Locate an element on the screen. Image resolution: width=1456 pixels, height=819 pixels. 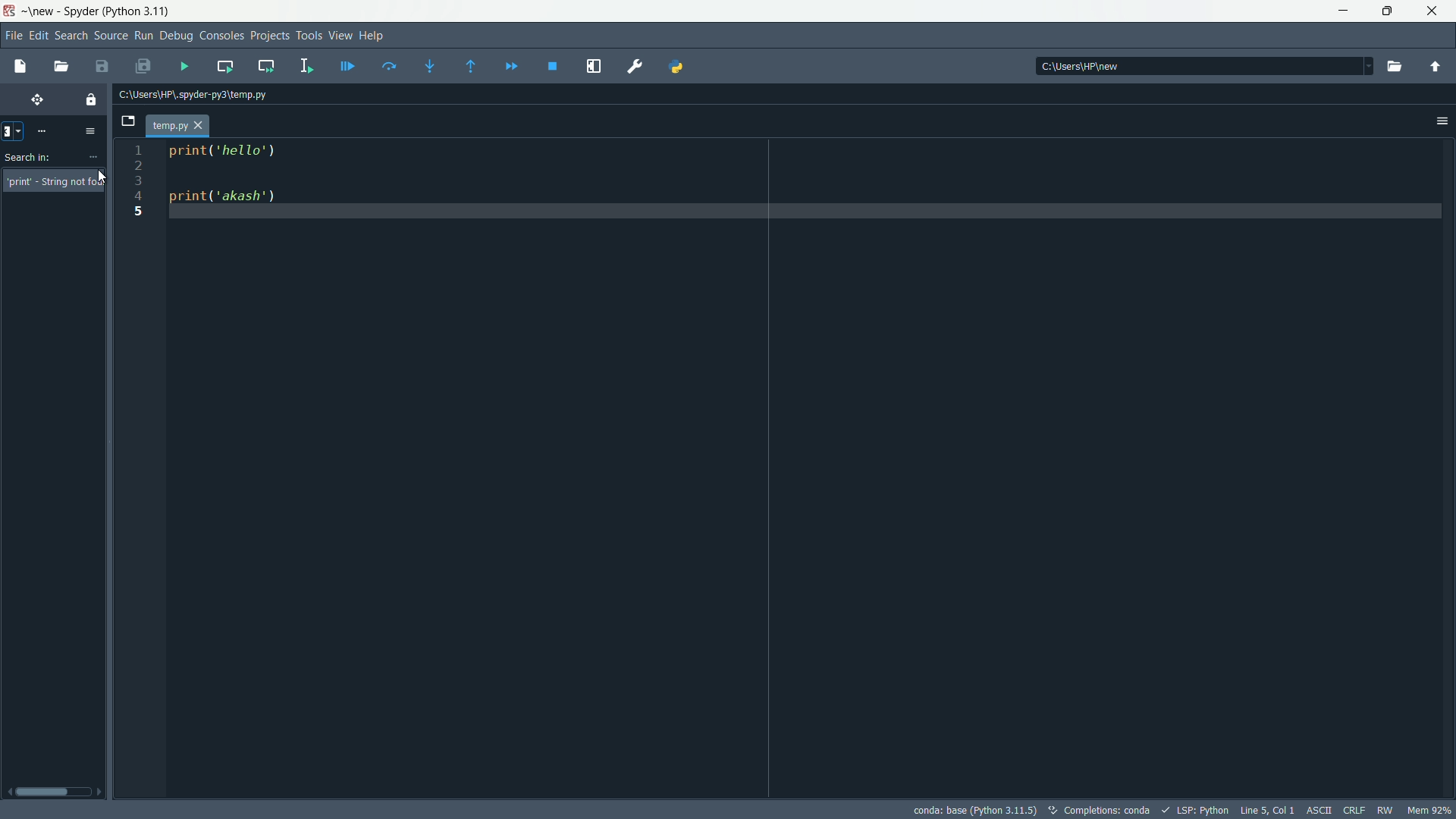
options  is located at coordinates (91, 129).